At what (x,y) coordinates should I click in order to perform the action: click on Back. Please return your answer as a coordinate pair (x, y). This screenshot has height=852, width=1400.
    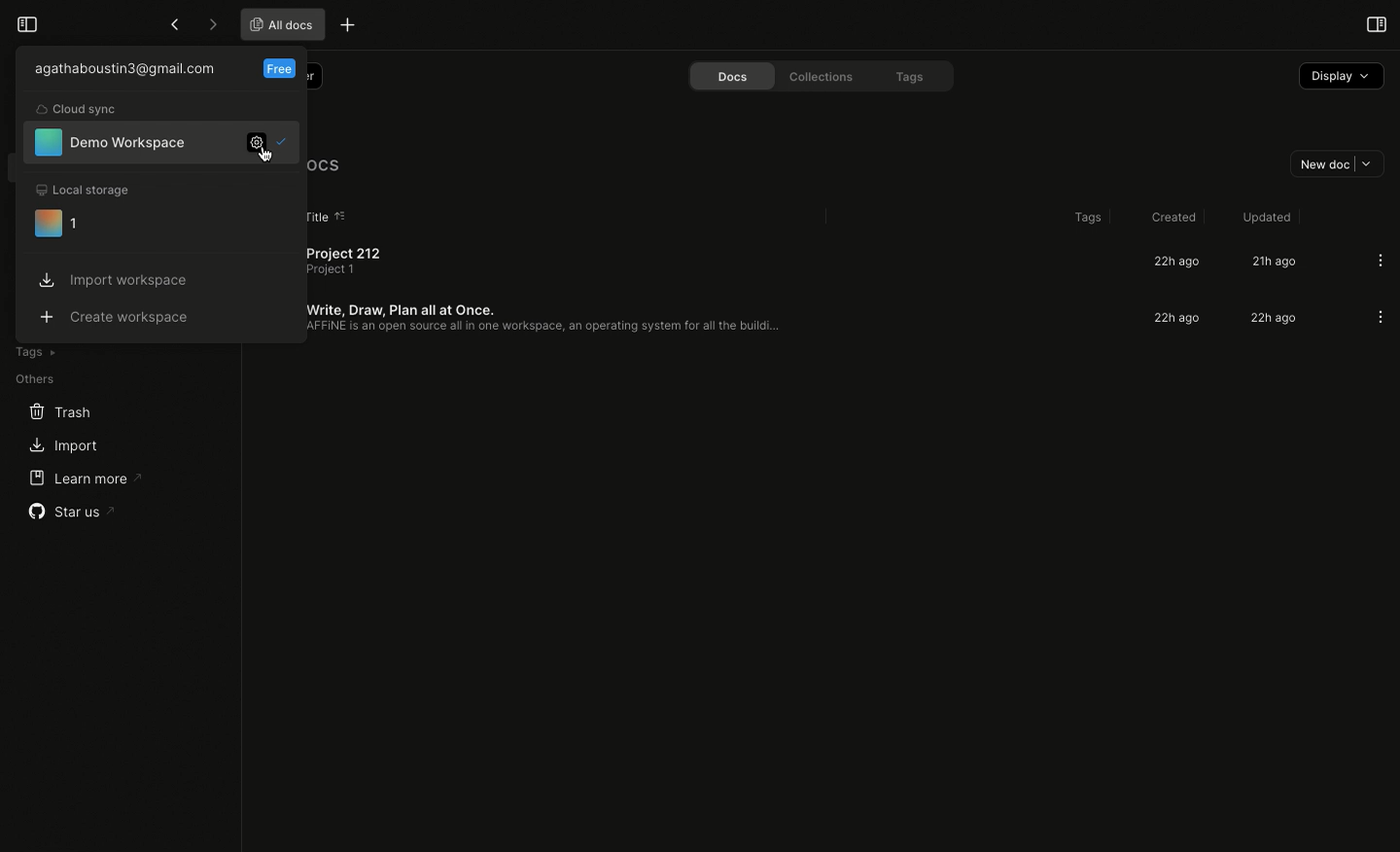
    Looking at the image, I should click on (174, 24).